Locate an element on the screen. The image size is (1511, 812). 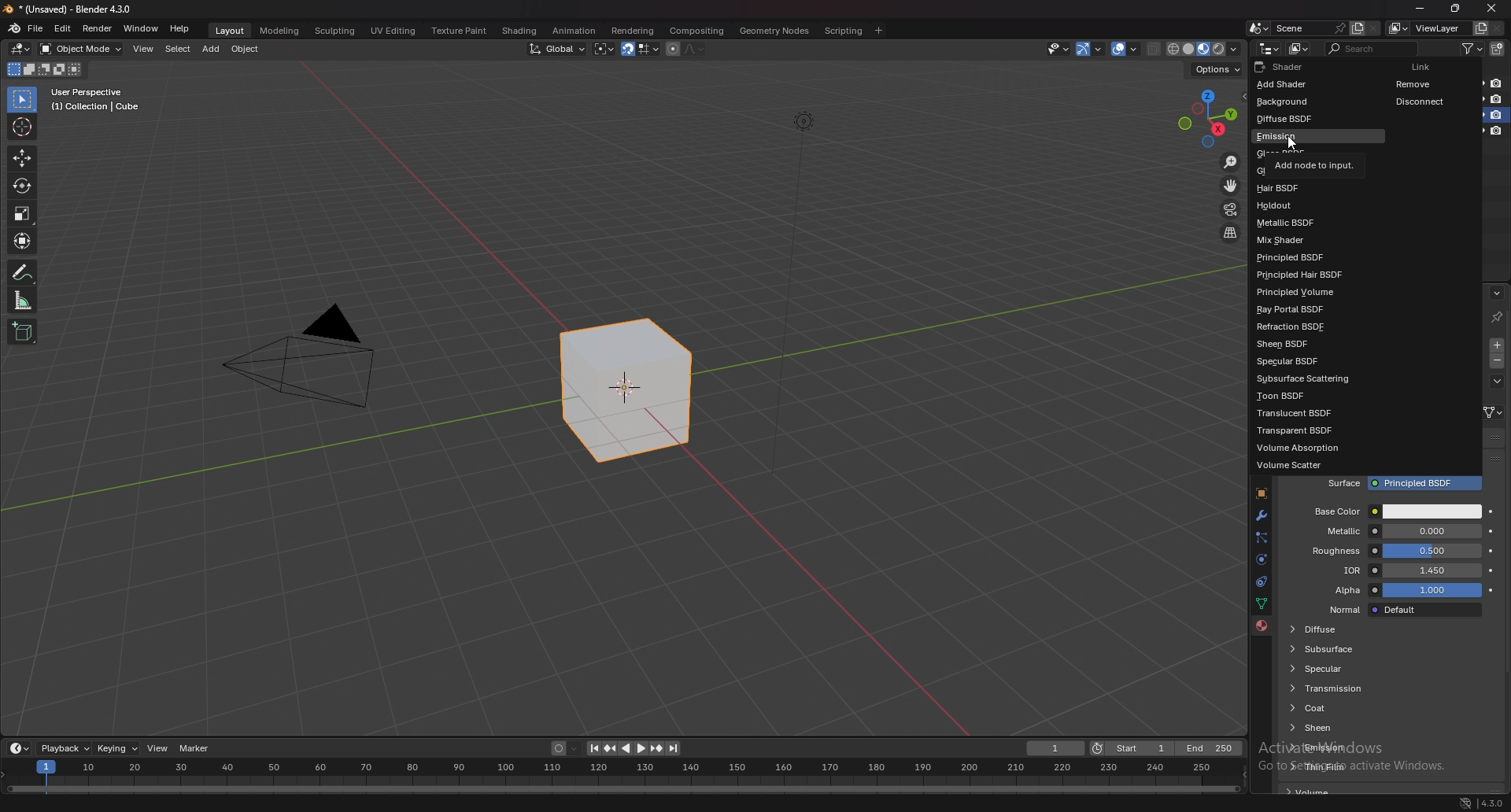
 is located at coordinates (1491, 801).